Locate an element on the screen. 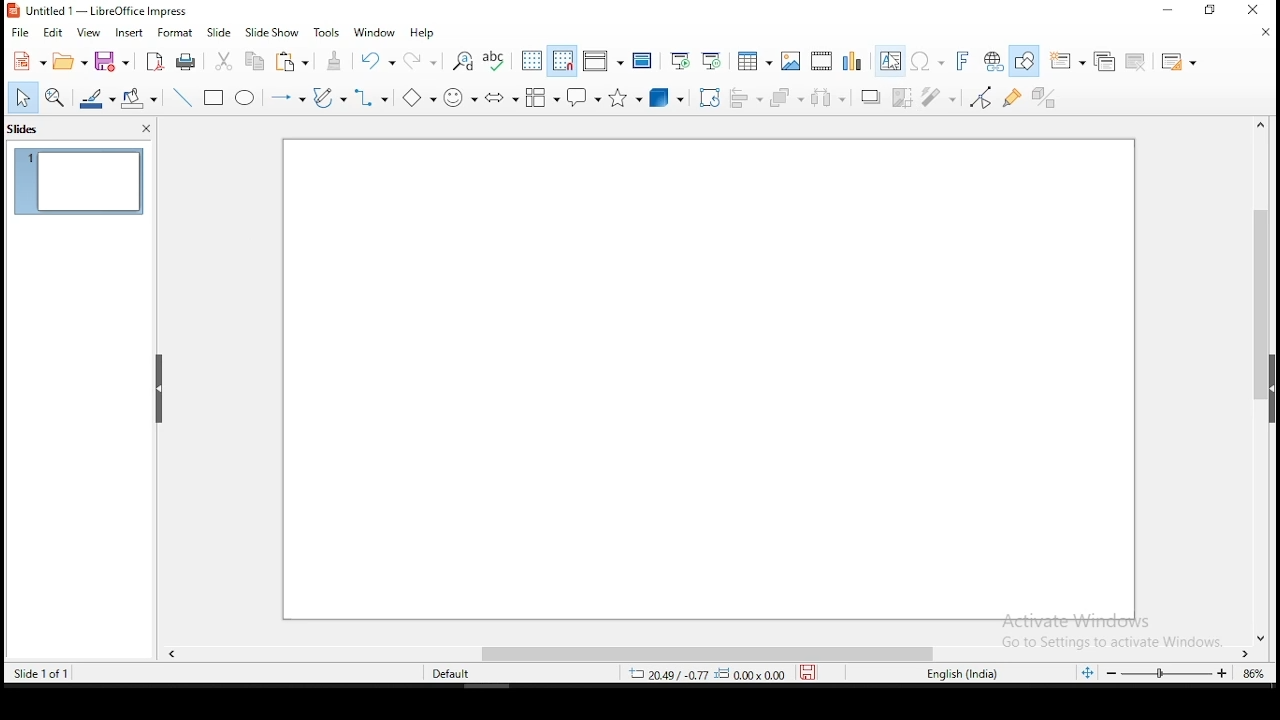  zoom level is located at coordinates (1251, 676).